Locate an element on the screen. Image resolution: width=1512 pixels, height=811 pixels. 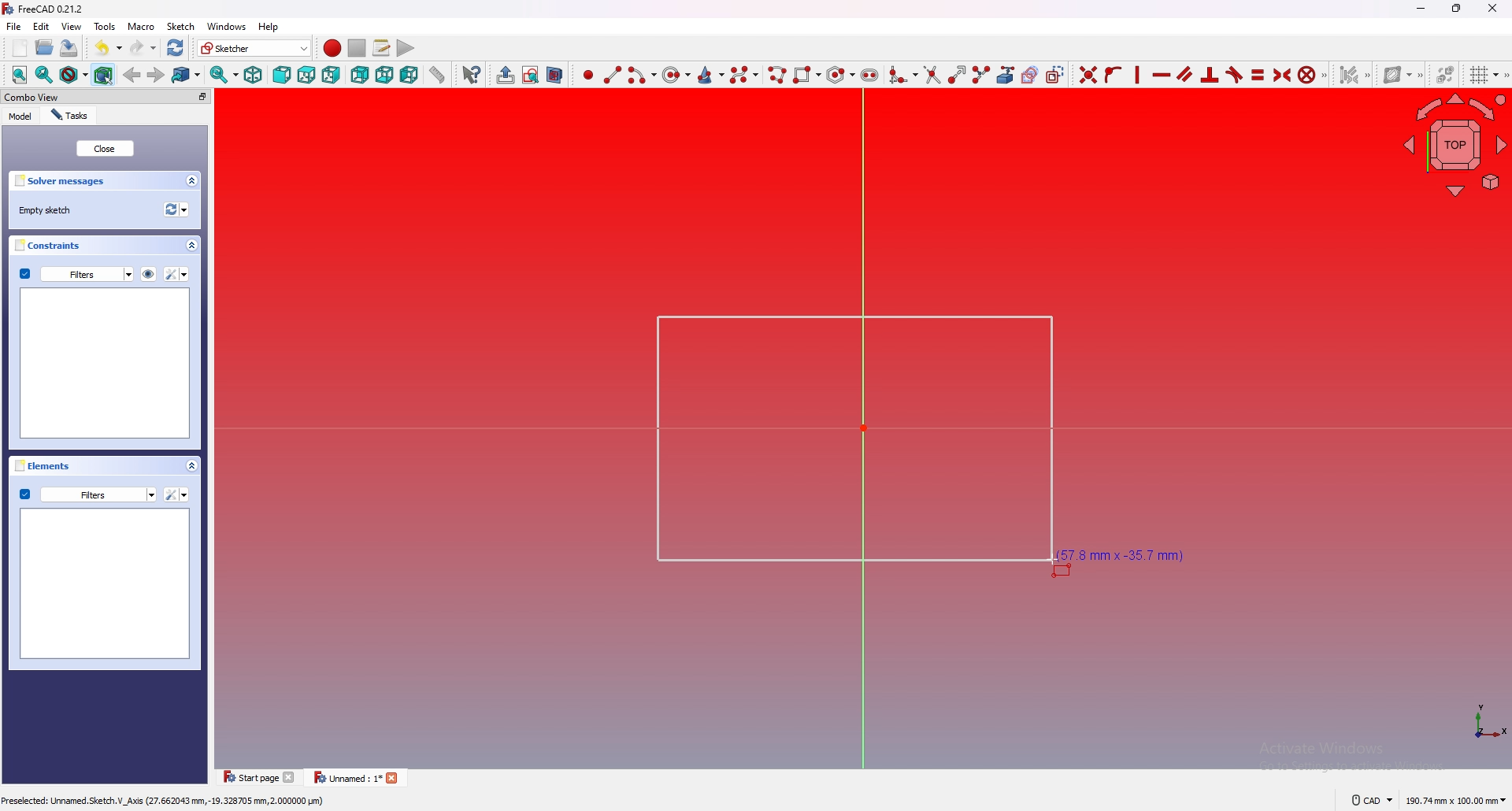
constraint symmetrical is located at coordinates (1283, 76).